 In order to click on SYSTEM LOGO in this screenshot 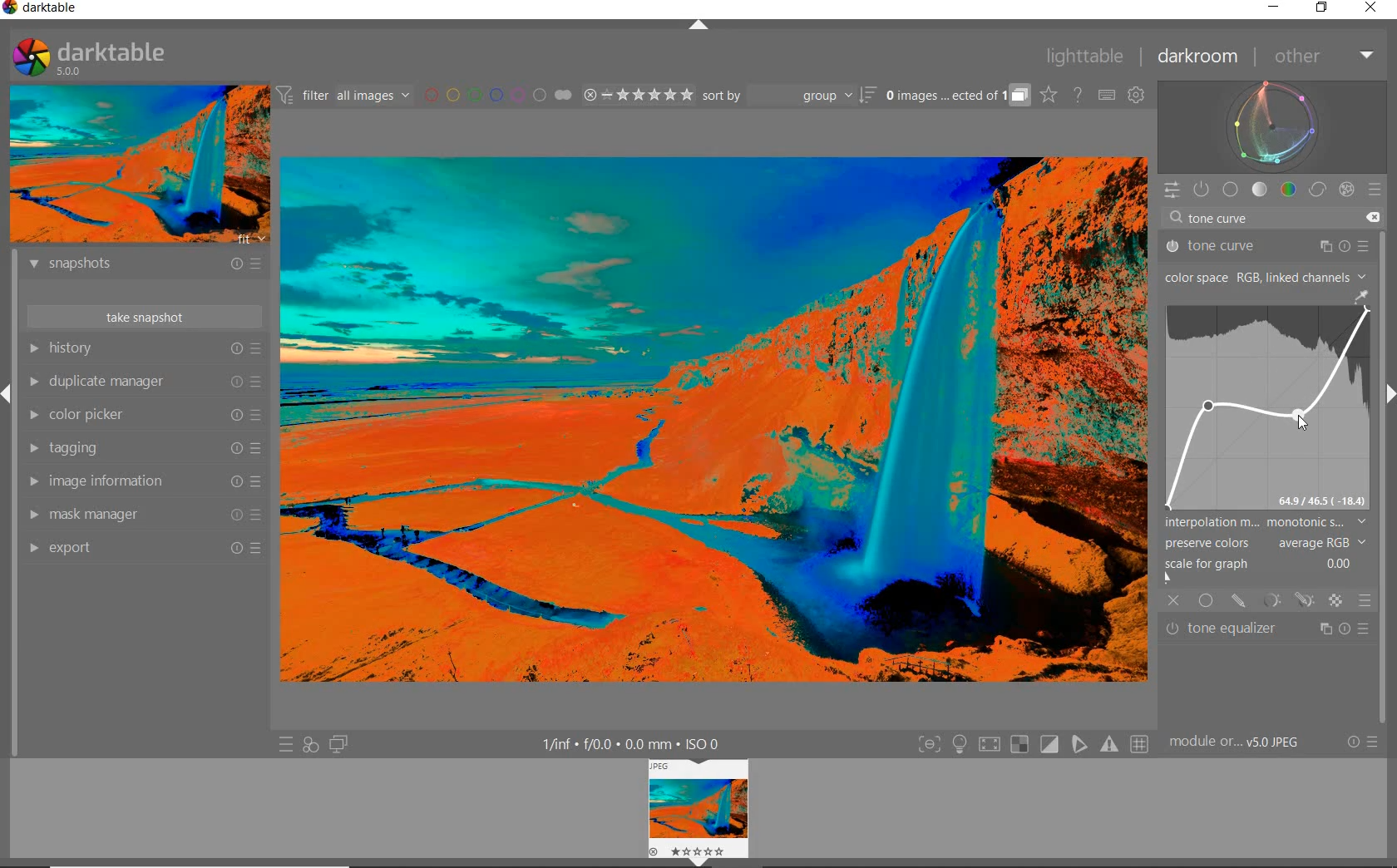, I will do `click(90, 57)`.